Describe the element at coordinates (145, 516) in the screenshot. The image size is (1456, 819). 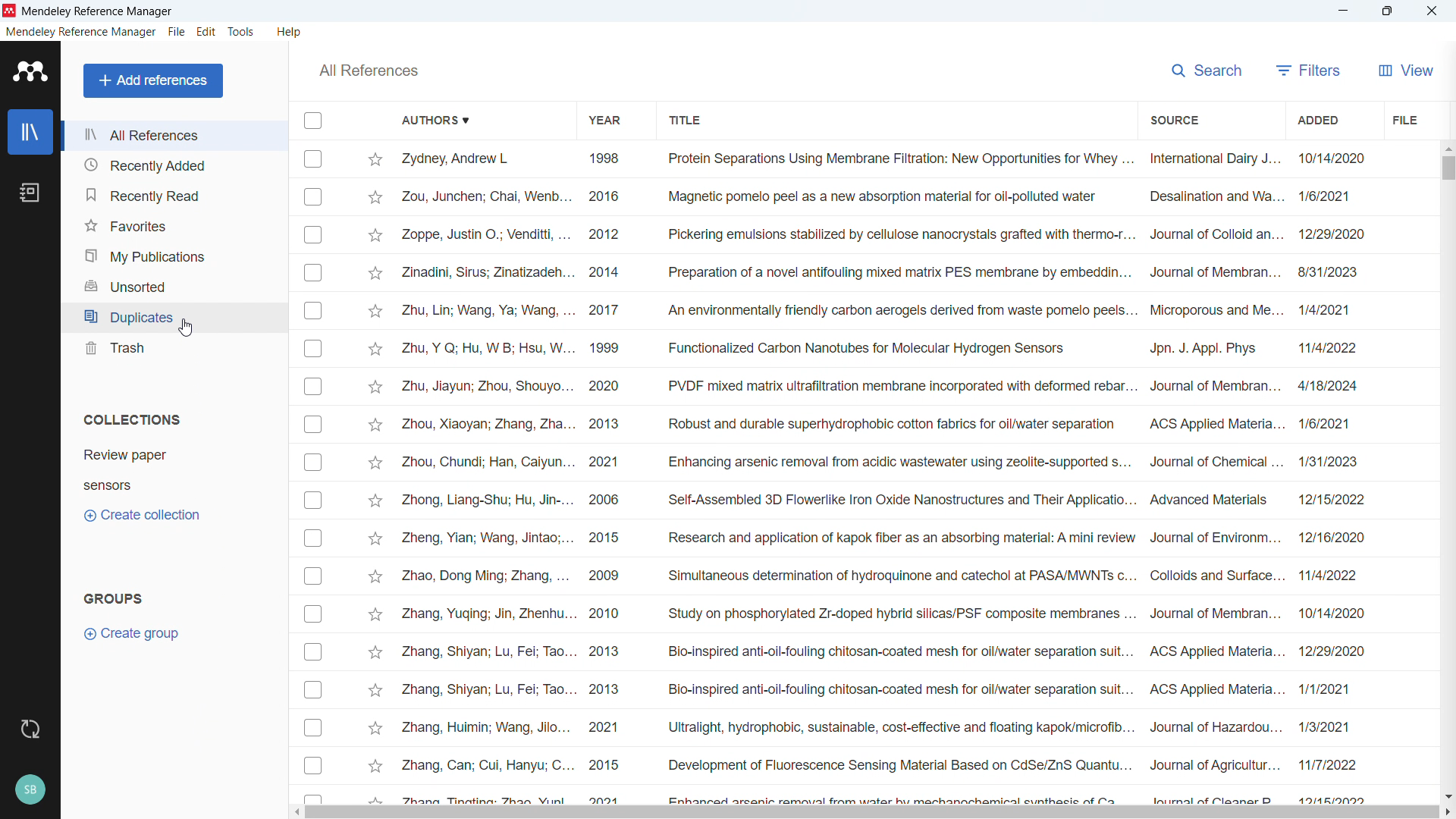
I see `Create collection ` at that location.